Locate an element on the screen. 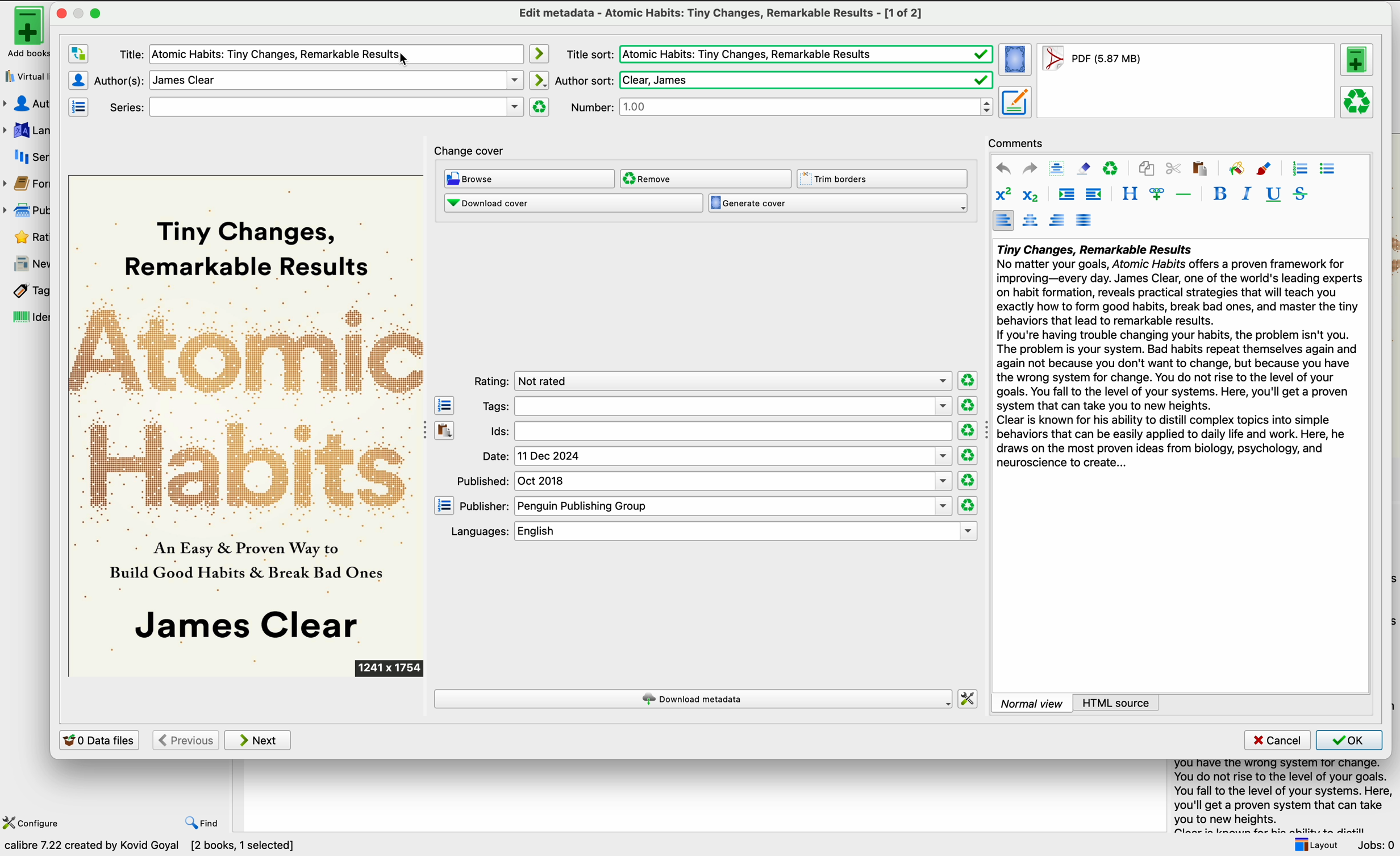  automatically mode icon is located at coordinates (541, 53).